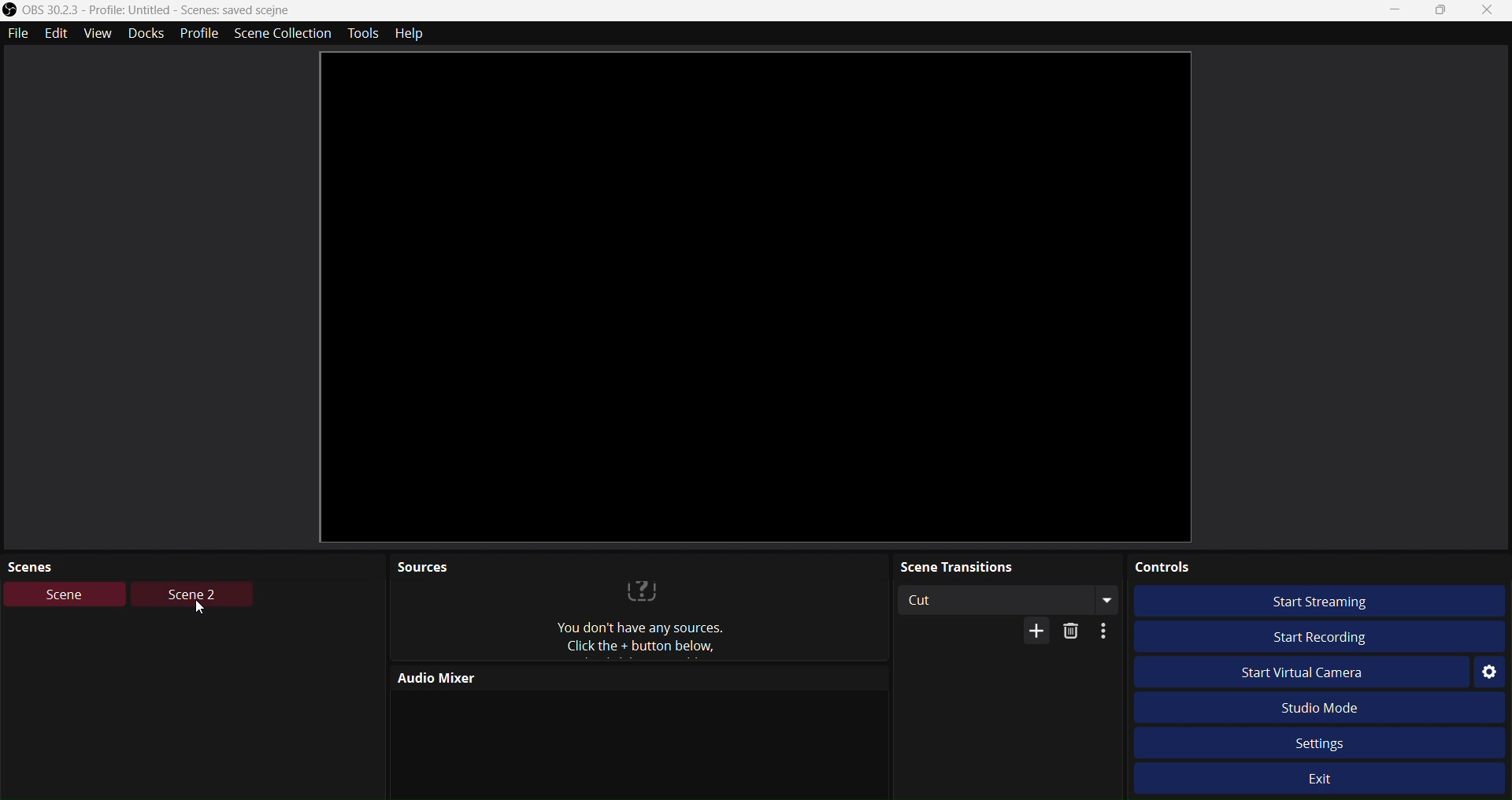  I want to click on Scenes, so click(49, 564).